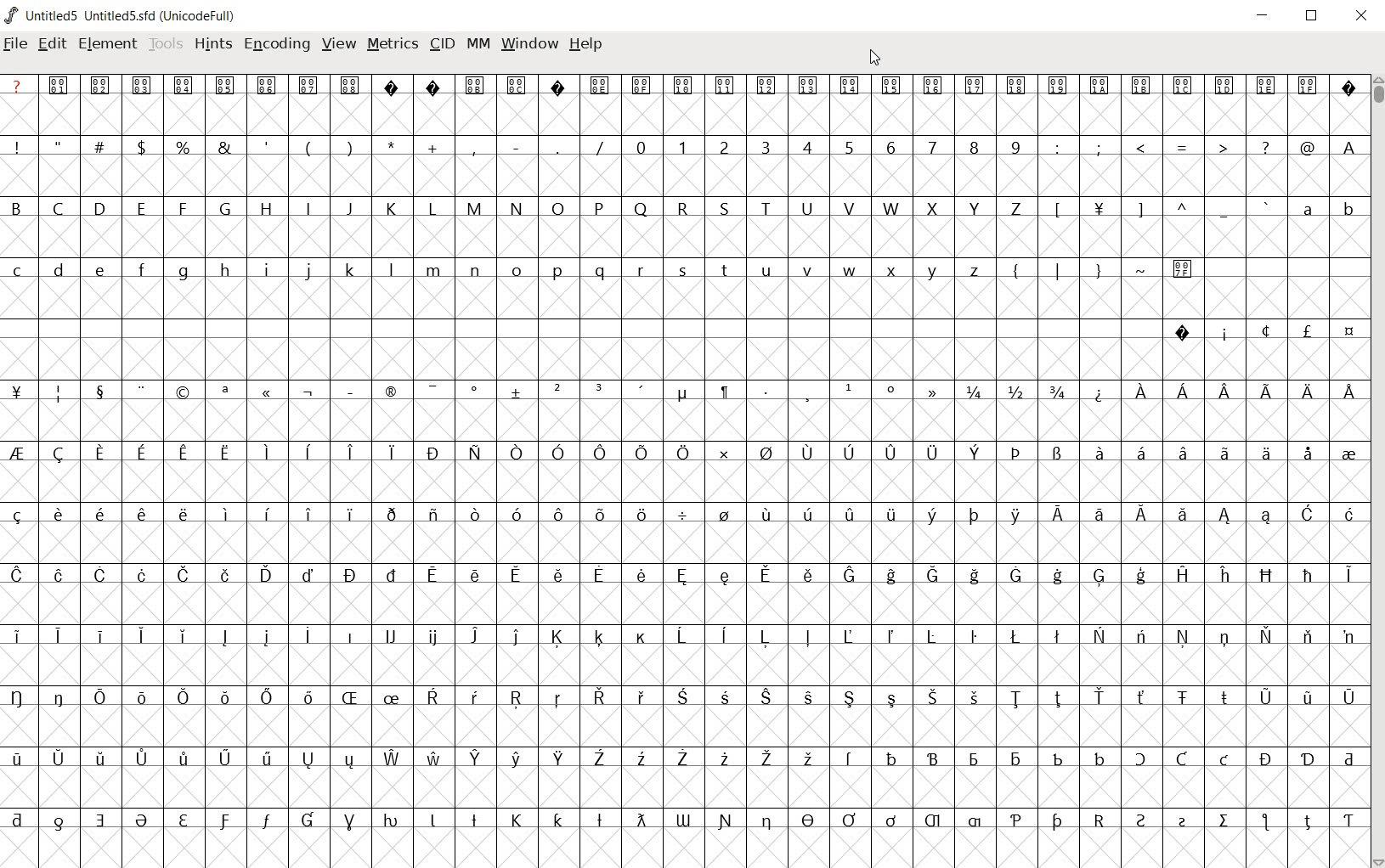 The width and height of the screenshot is (1385, 868). I want to click on Symbol, so click(184, 454).